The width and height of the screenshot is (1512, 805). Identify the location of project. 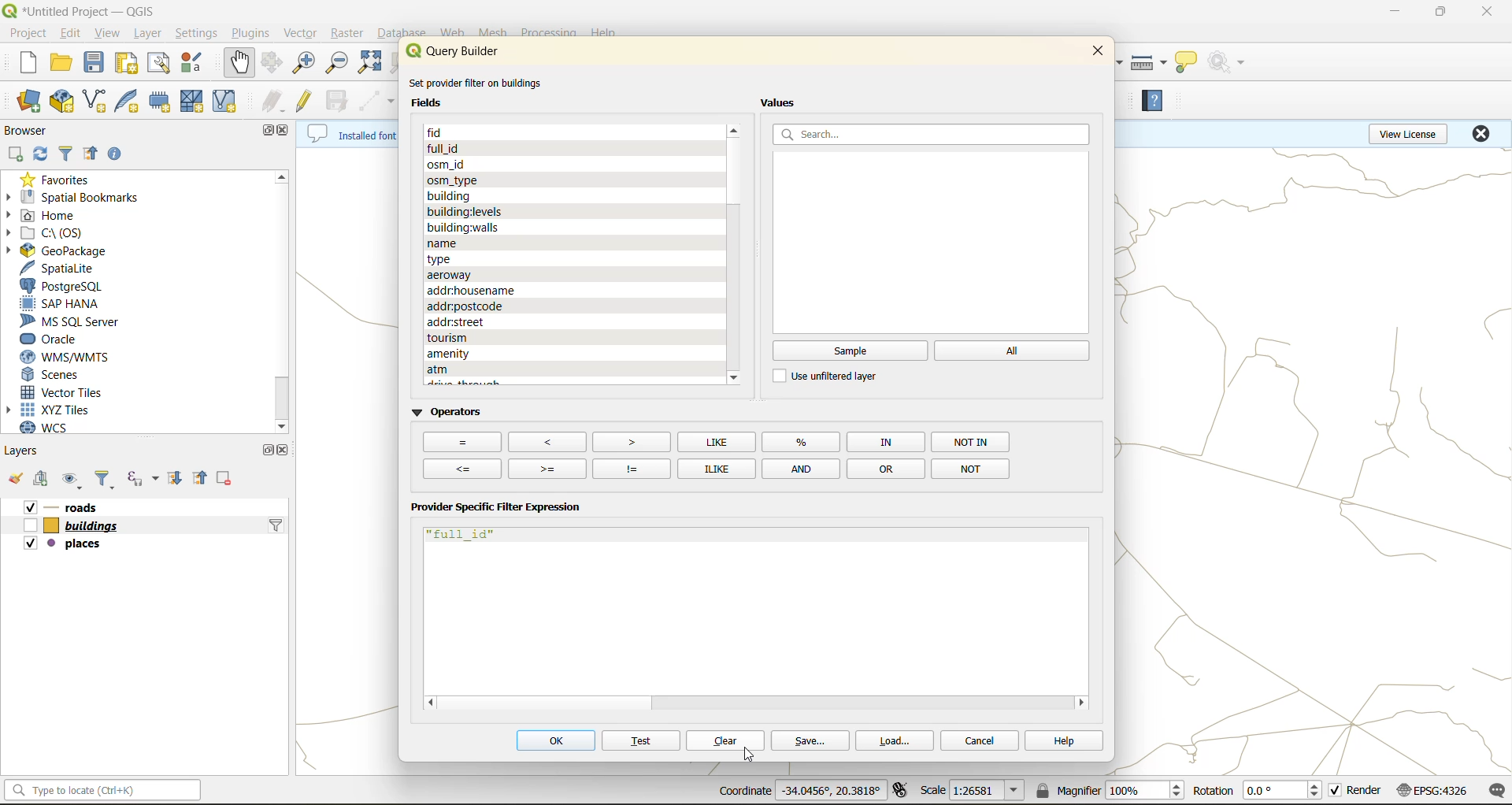
(28, 35).